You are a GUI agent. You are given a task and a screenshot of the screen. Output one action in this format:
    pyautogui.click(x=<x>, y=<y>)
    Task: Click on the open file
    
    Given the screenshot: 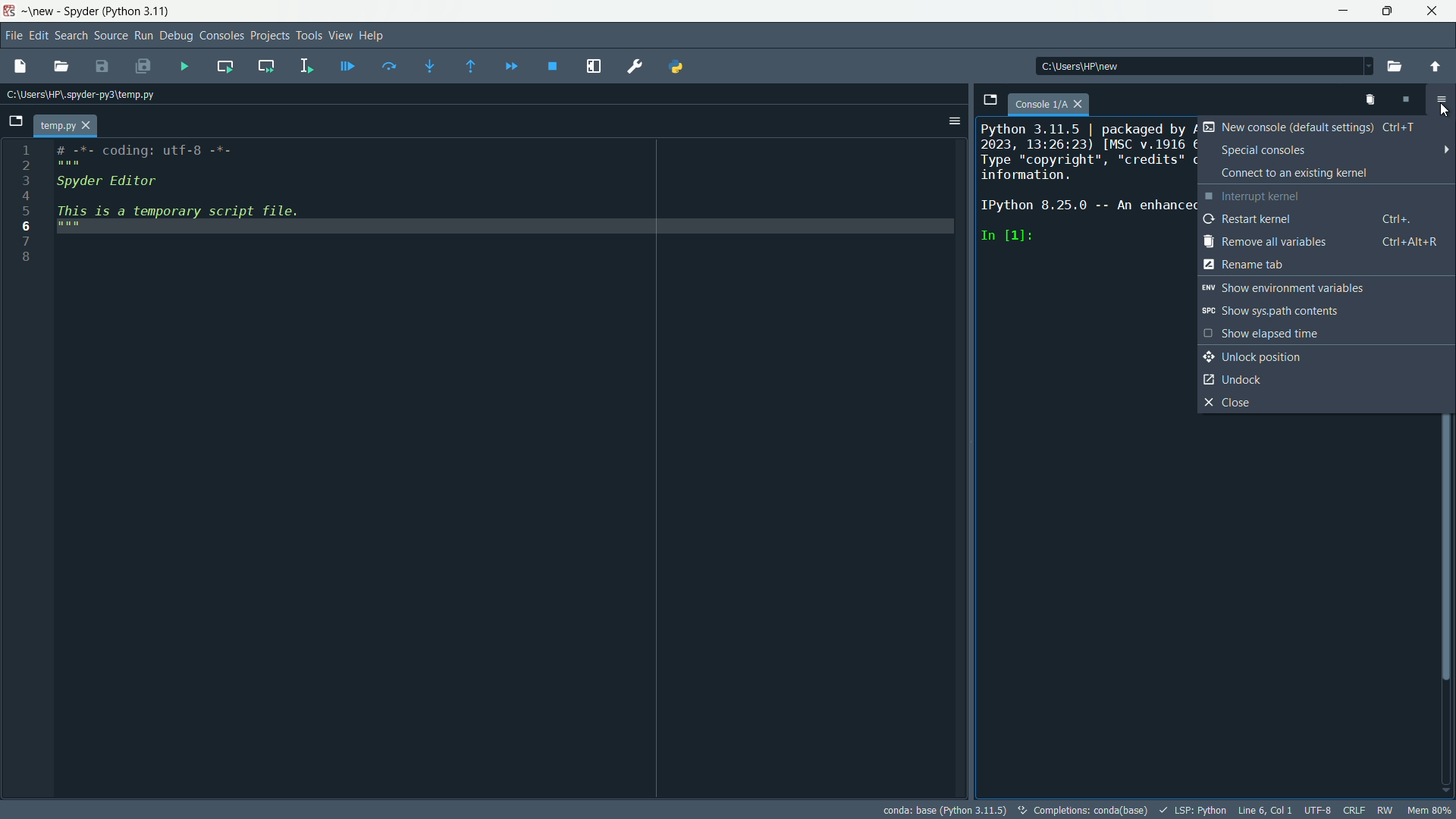 What is the action you would take?
    pyautogui.click(x=65, y=66)
    